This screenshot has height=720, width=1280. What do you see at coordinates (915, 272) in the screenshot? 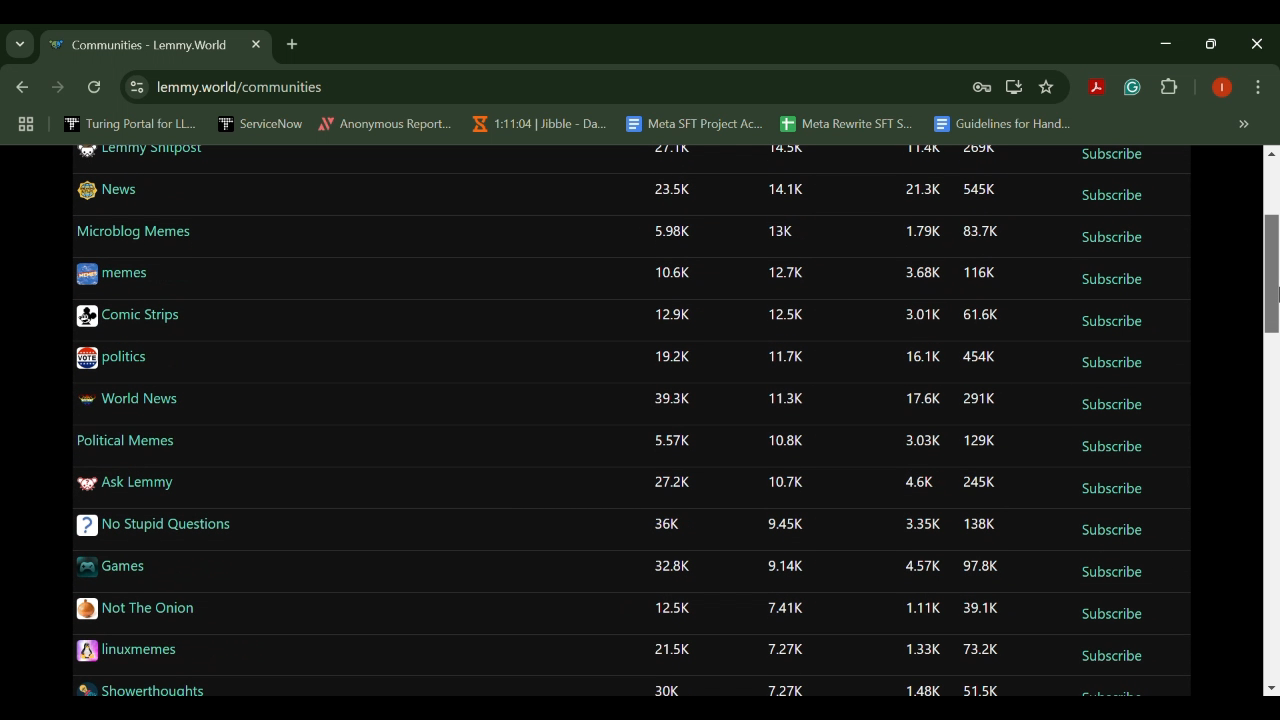
I see `3.68K` at bounding box center [915, 272].